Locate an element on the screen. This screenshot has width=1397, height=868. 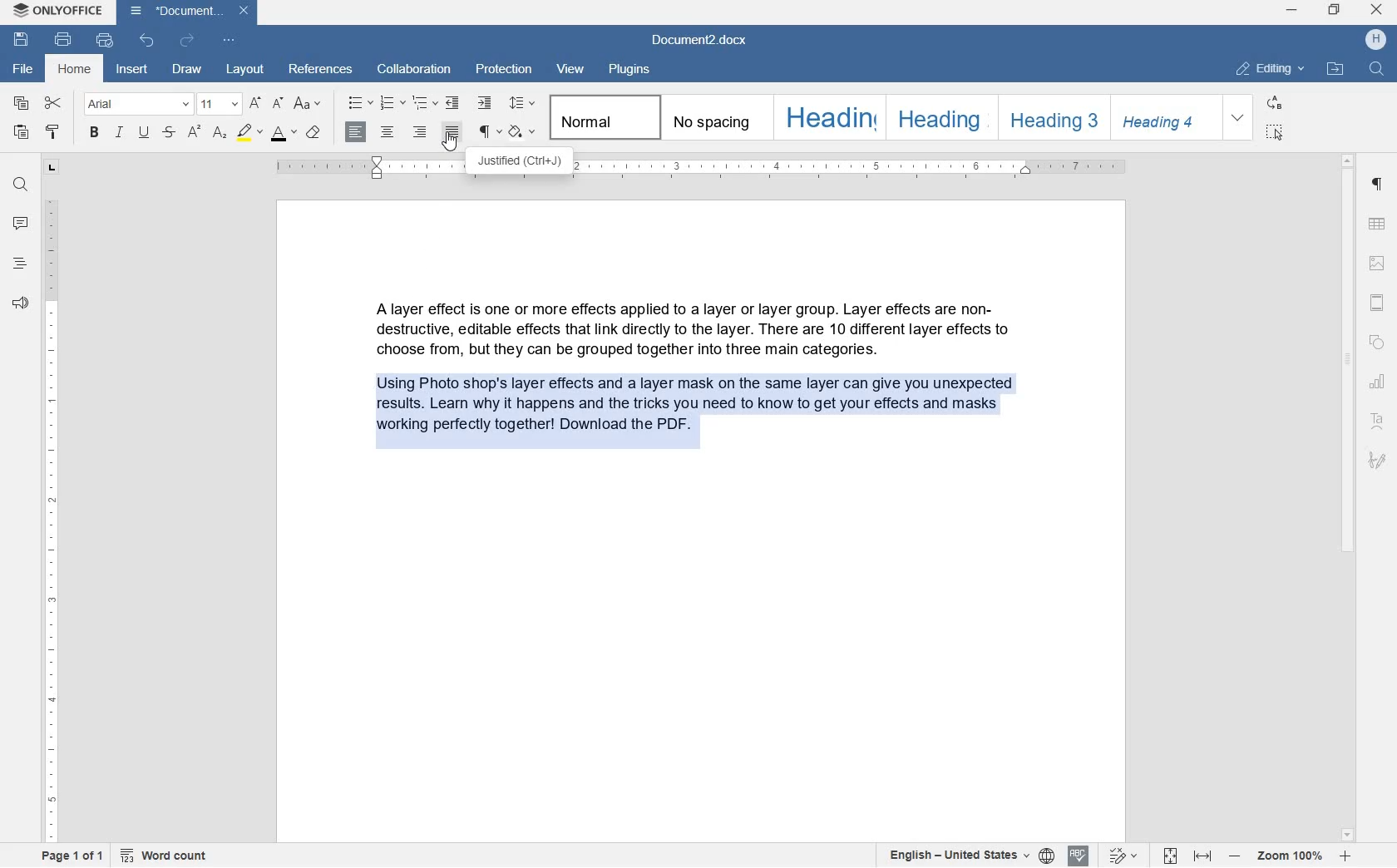
COMMENTS is located at coordinates (19, 223).